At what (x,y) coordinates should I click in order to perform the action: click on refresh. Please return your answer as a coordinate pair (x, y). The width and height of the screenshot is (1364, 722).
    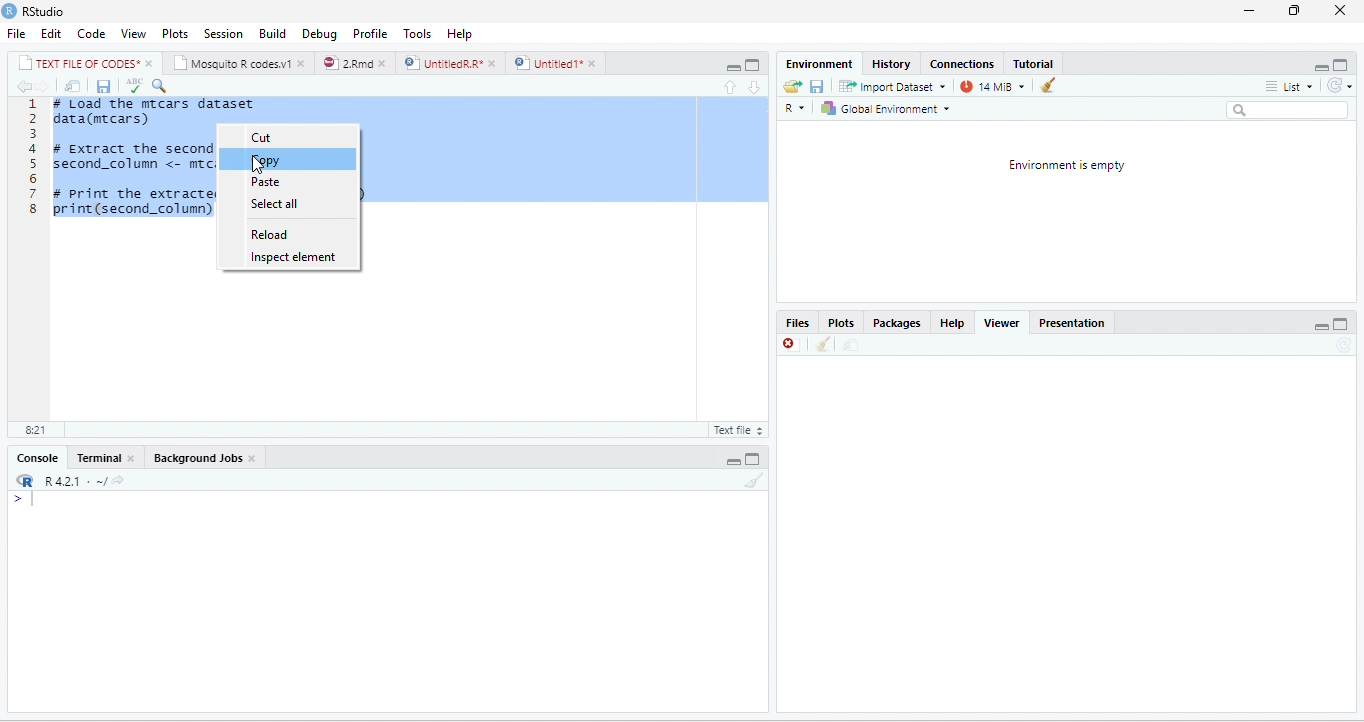
    Looking at the image, I should click on (1343, 86).